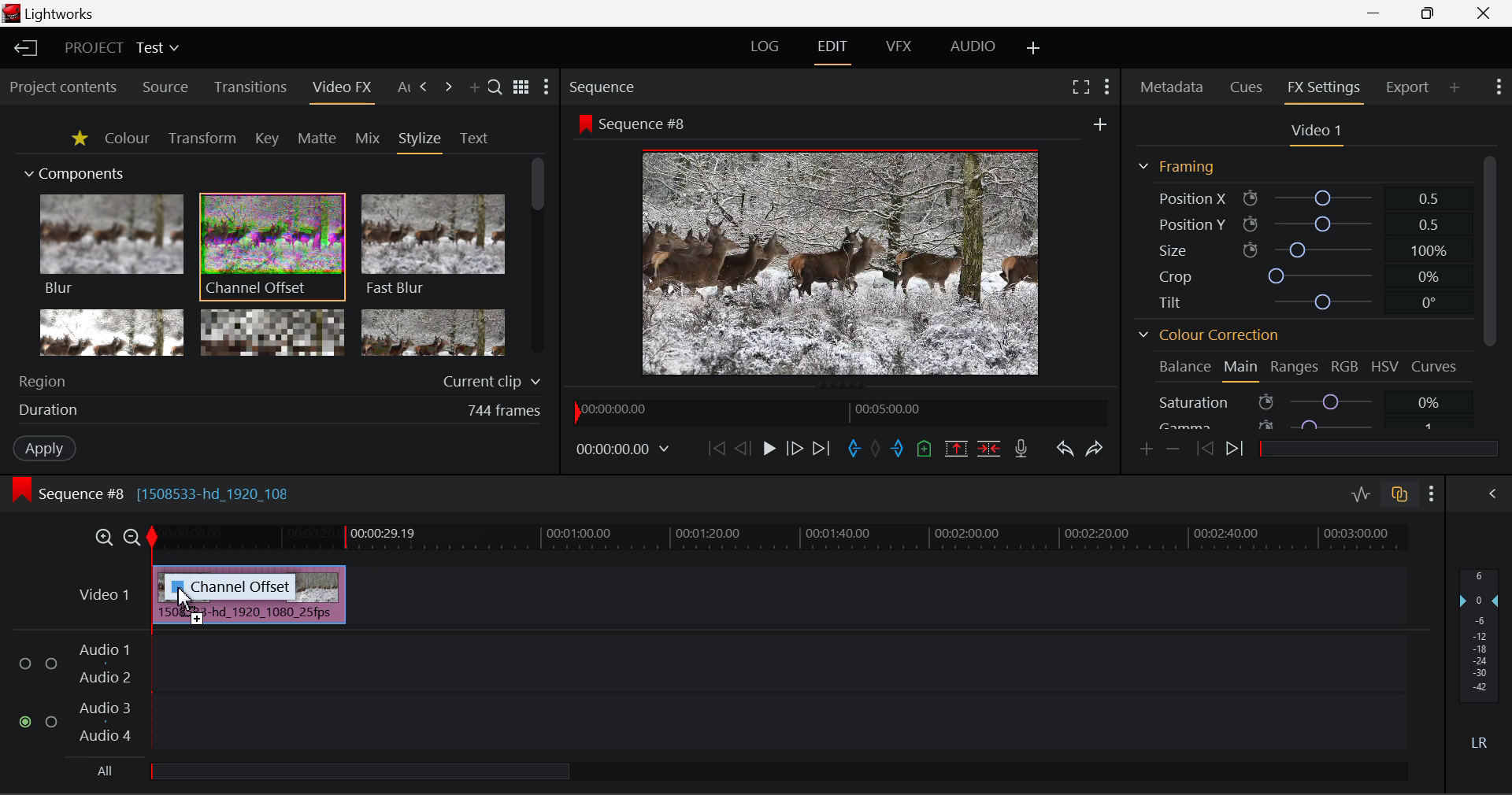 The height and width of the screenshot is (795, 1512). What do you see at coordinates (110, 246) in the screenshot?
I see `Blur` at bounding box center [110, 246].